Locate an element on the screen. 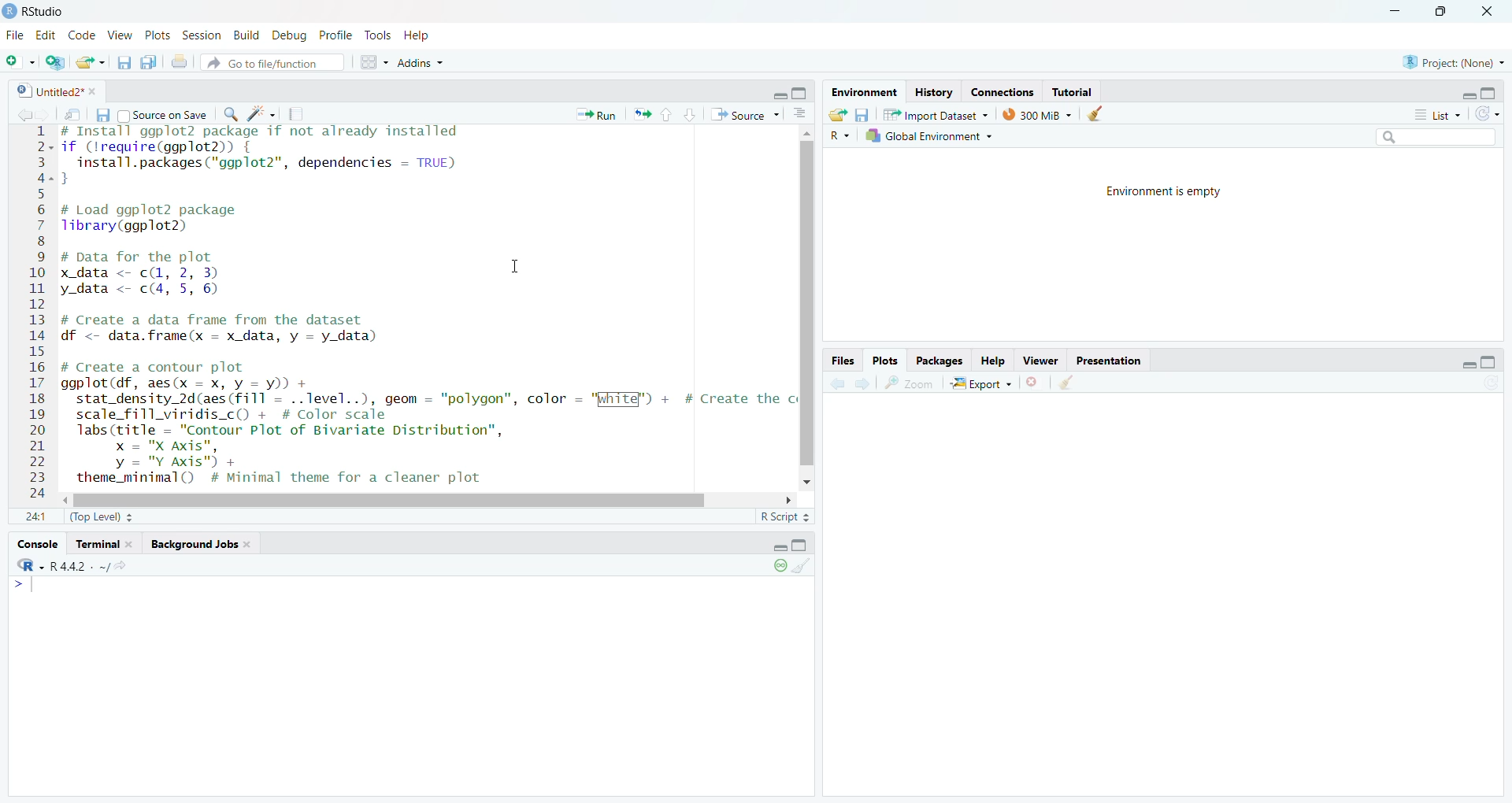 Image resolution: width=1512 pixels, height=803 pixels. search bar is located at coordinates (1435, 140).